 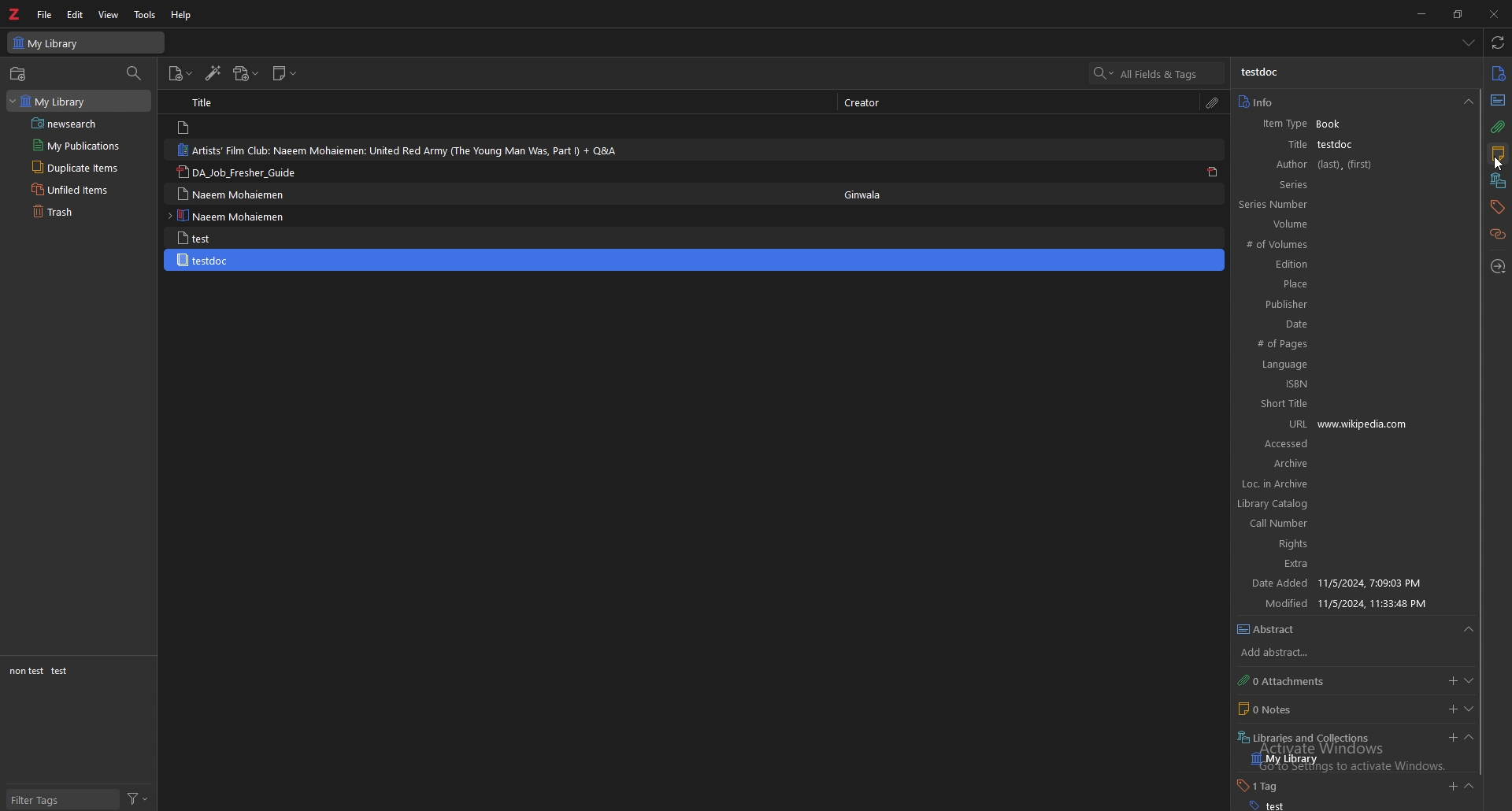 I want to click on show, so click(x=1467, y=709).